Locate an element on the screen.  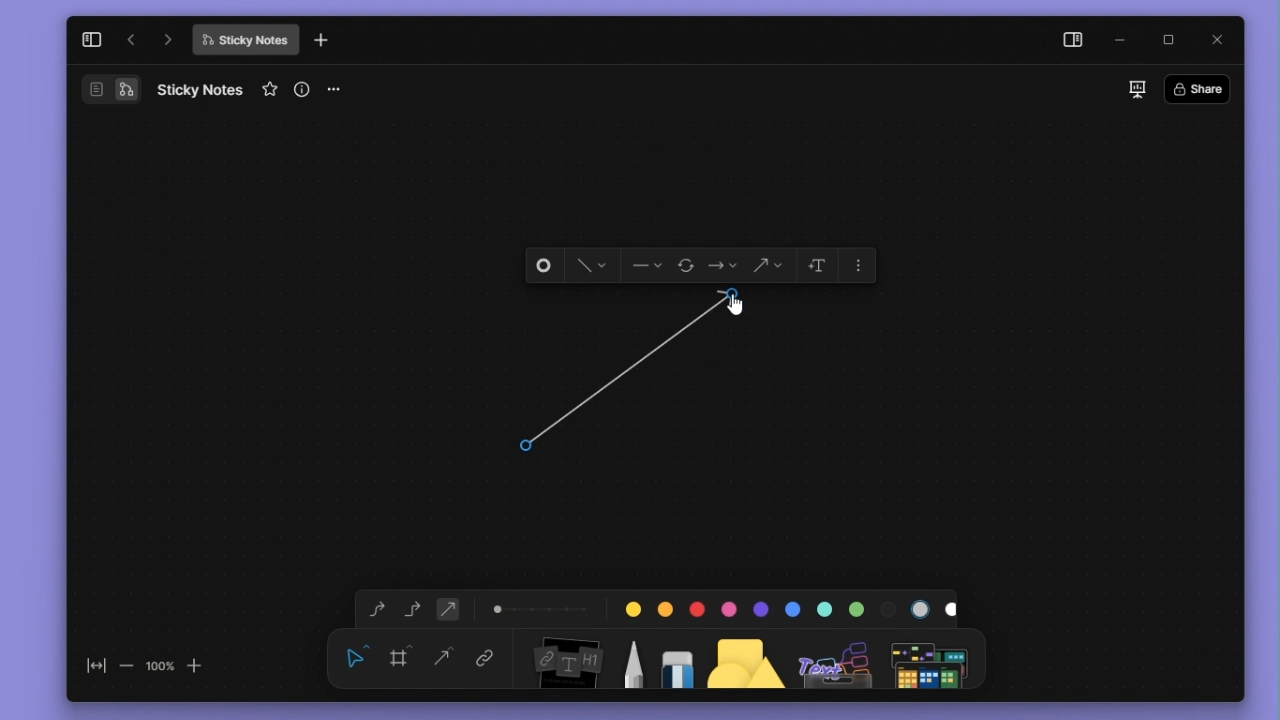
color pallete is located at coordinates (785, 605).